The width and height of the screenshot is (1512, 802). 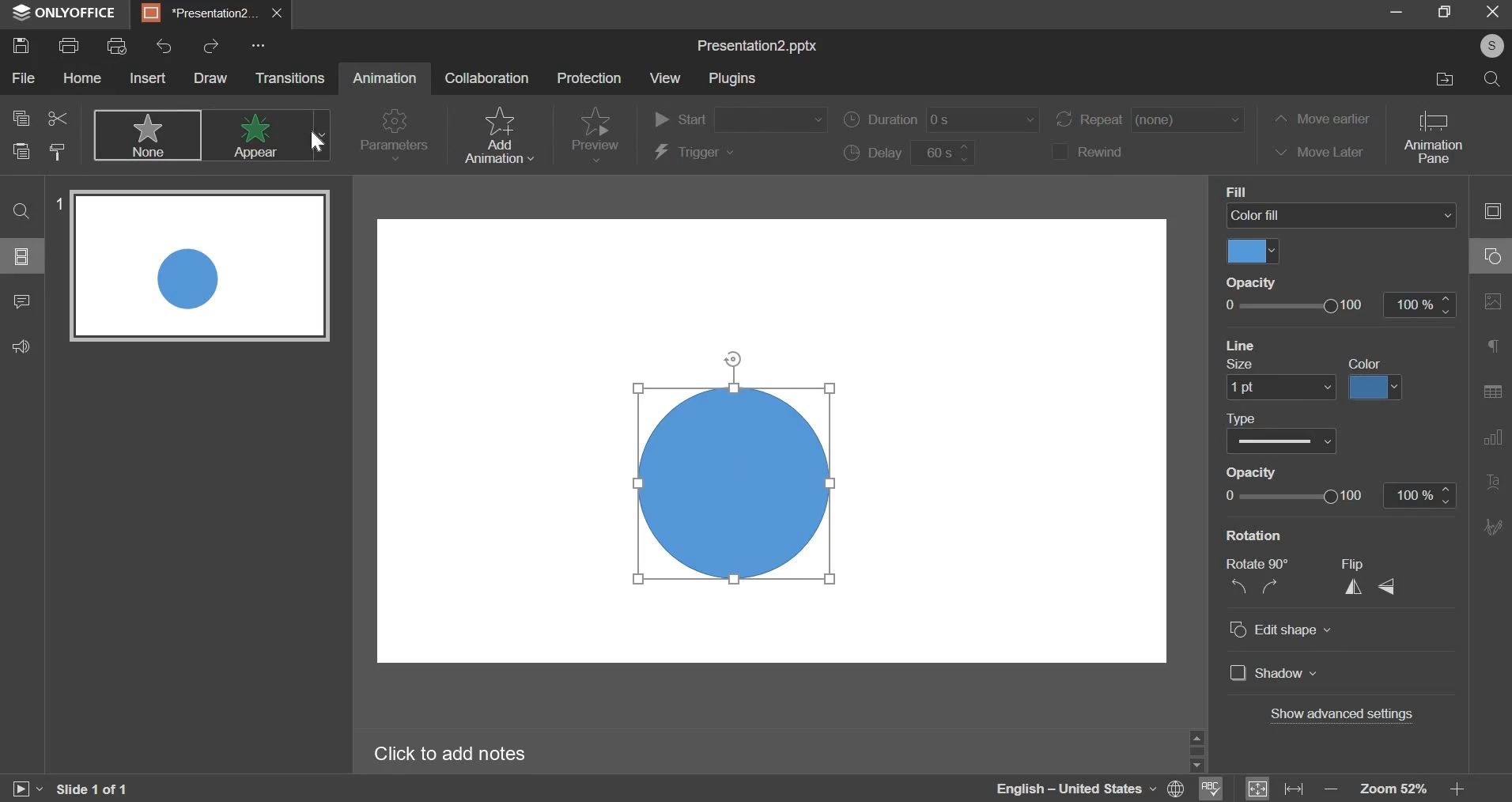 I want to click on move later, so click(x=1323, y=150).